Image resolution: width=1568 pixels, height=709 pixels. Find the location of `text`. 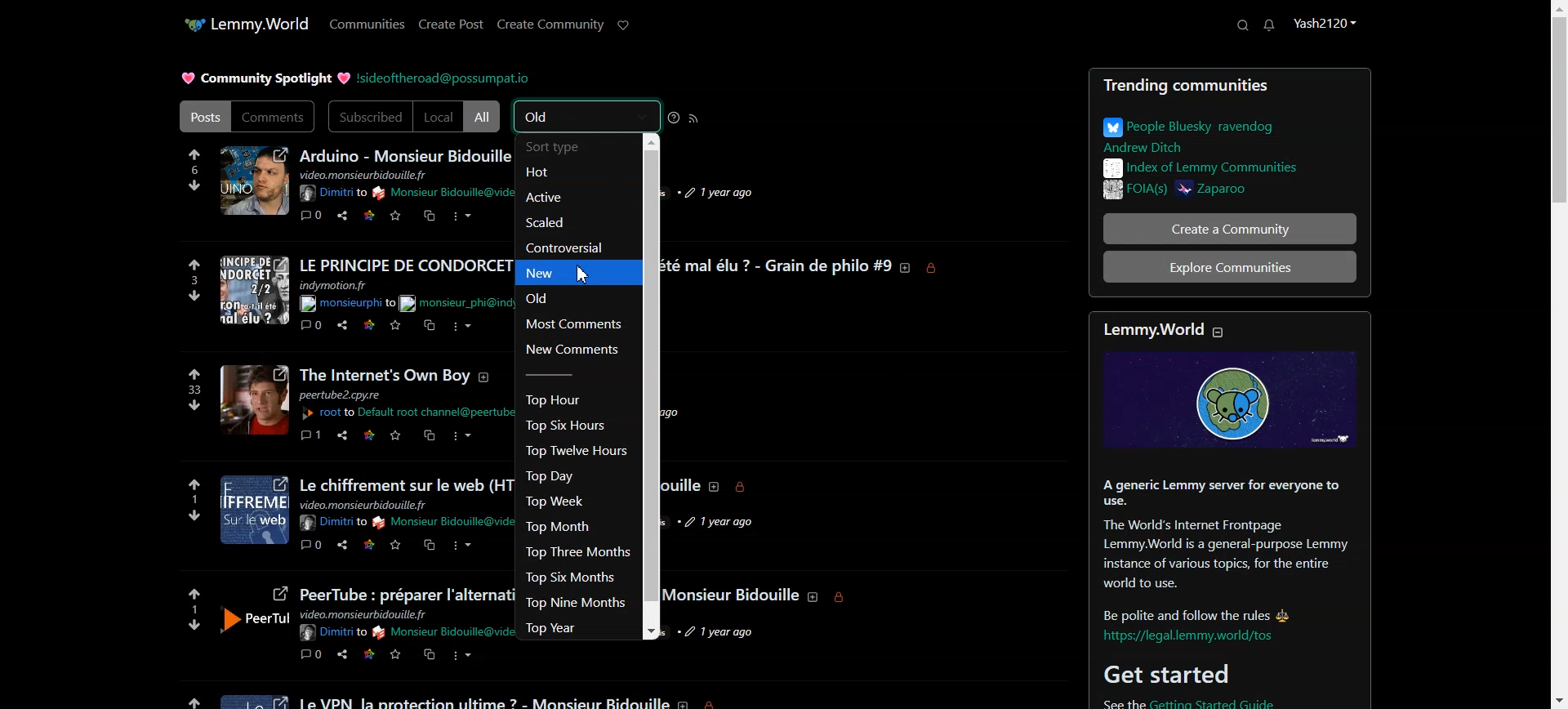

text is located at coordinates (406, 594).